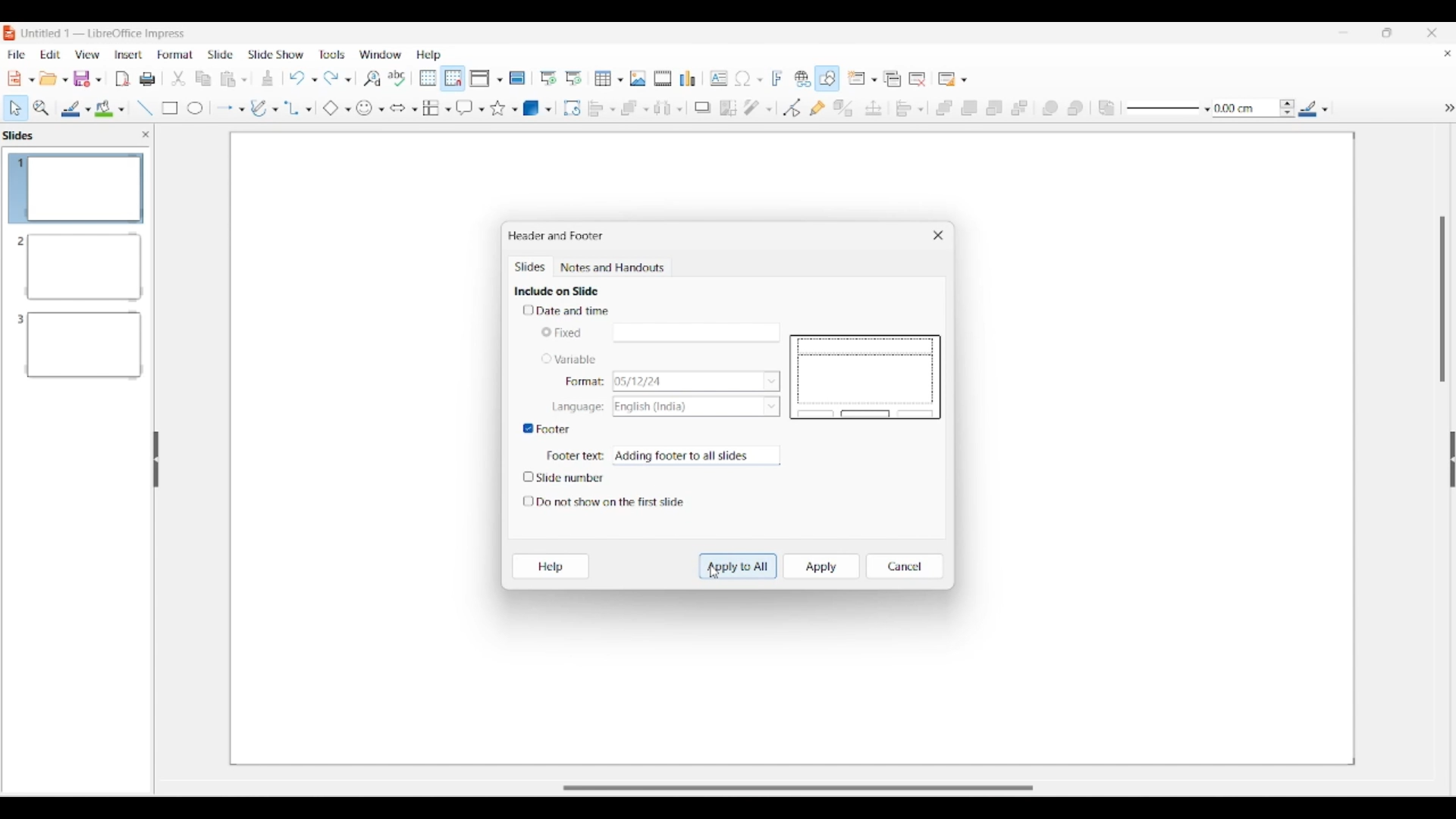 The width and height of the screenshot is (1456, 819). What do you see at coordinates (893, 79) in the screenshot?
I see `Duplicate slide` at bounding box center [893, 79].